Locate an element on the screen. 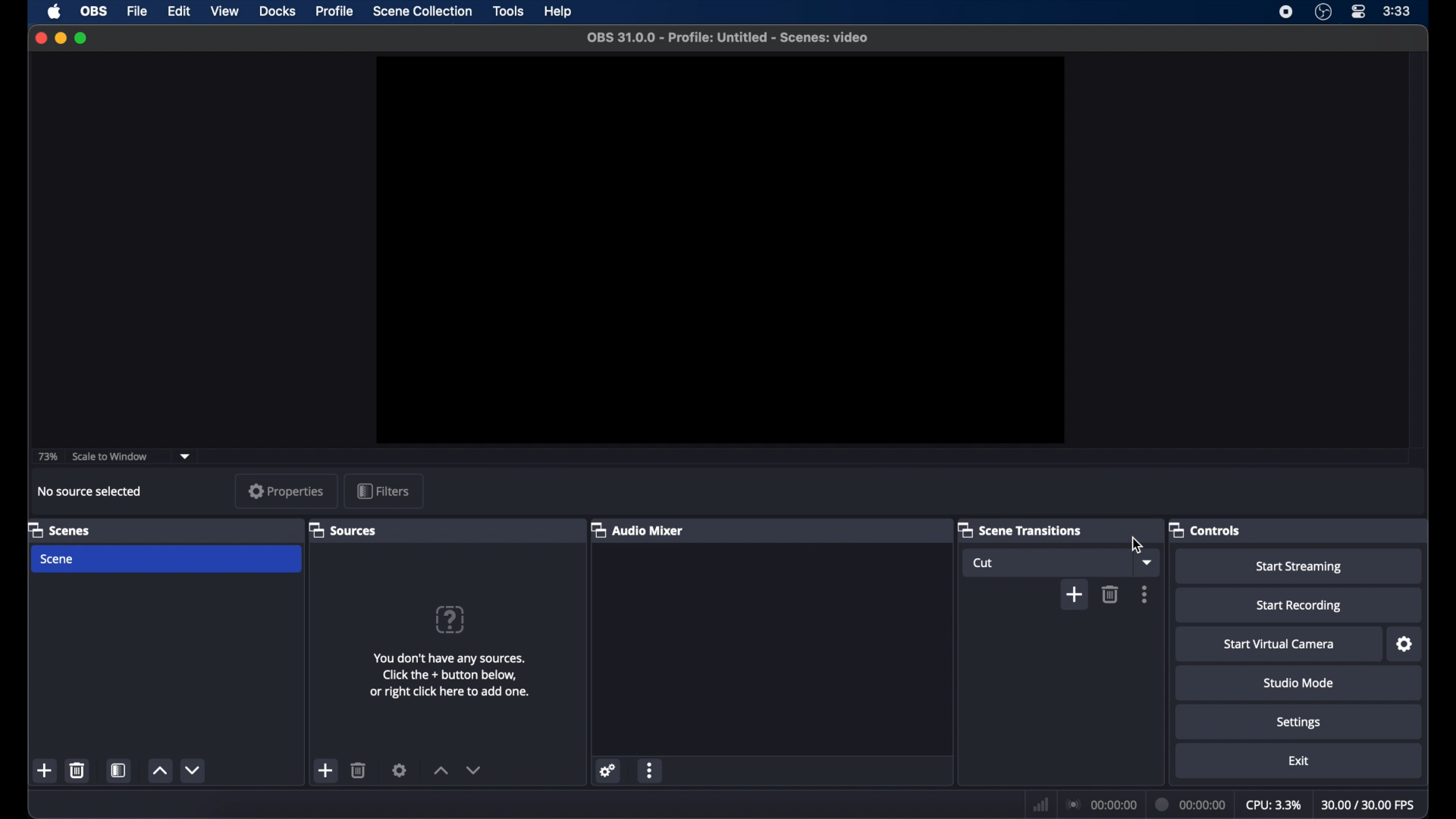  close is located at coordinates (40, 38).